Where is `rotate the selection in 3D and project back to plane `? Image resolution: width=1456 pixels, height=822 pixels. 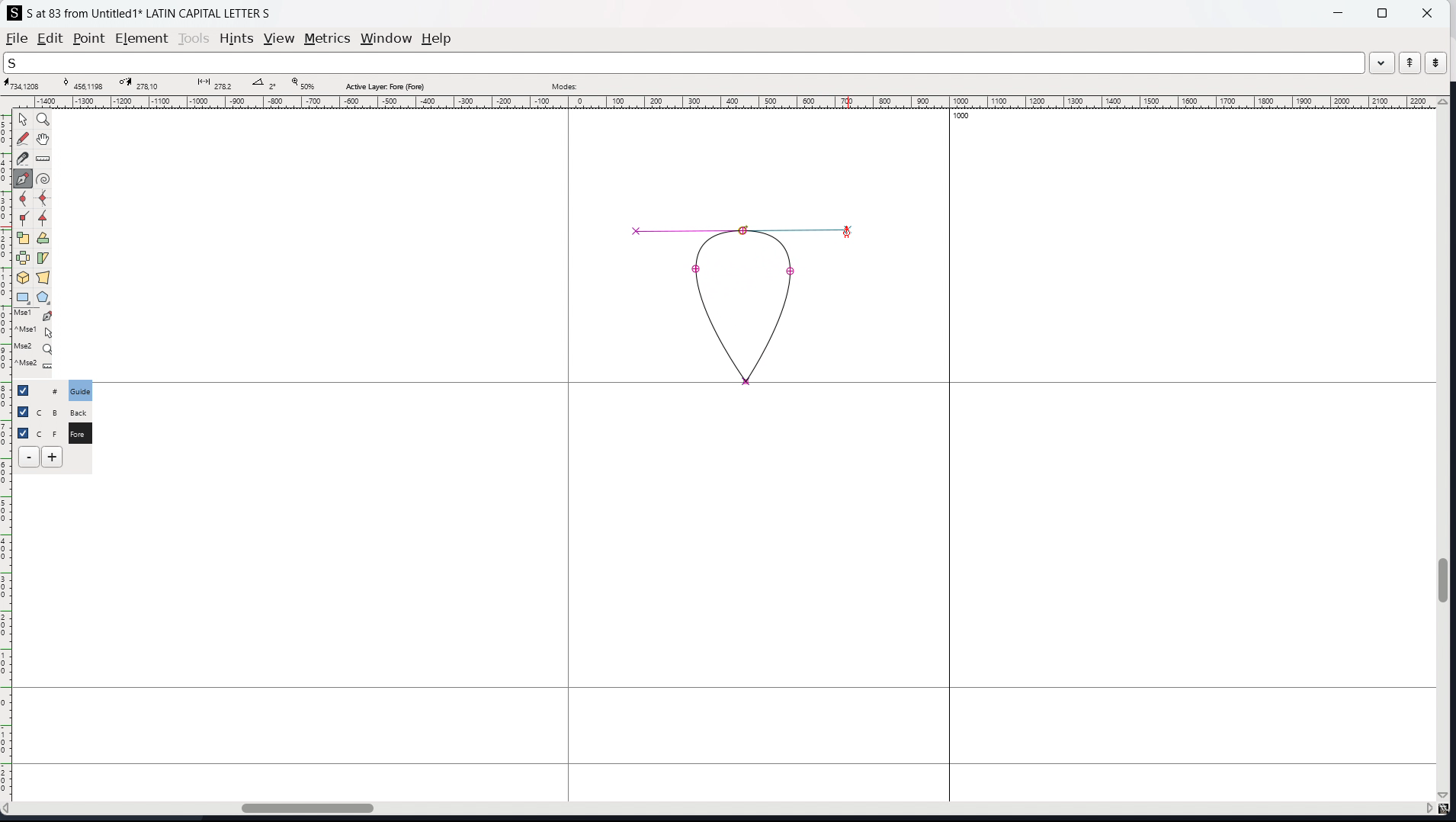
rotate the selection in 3D and project back to plane  is located at coordinates (23, 278).